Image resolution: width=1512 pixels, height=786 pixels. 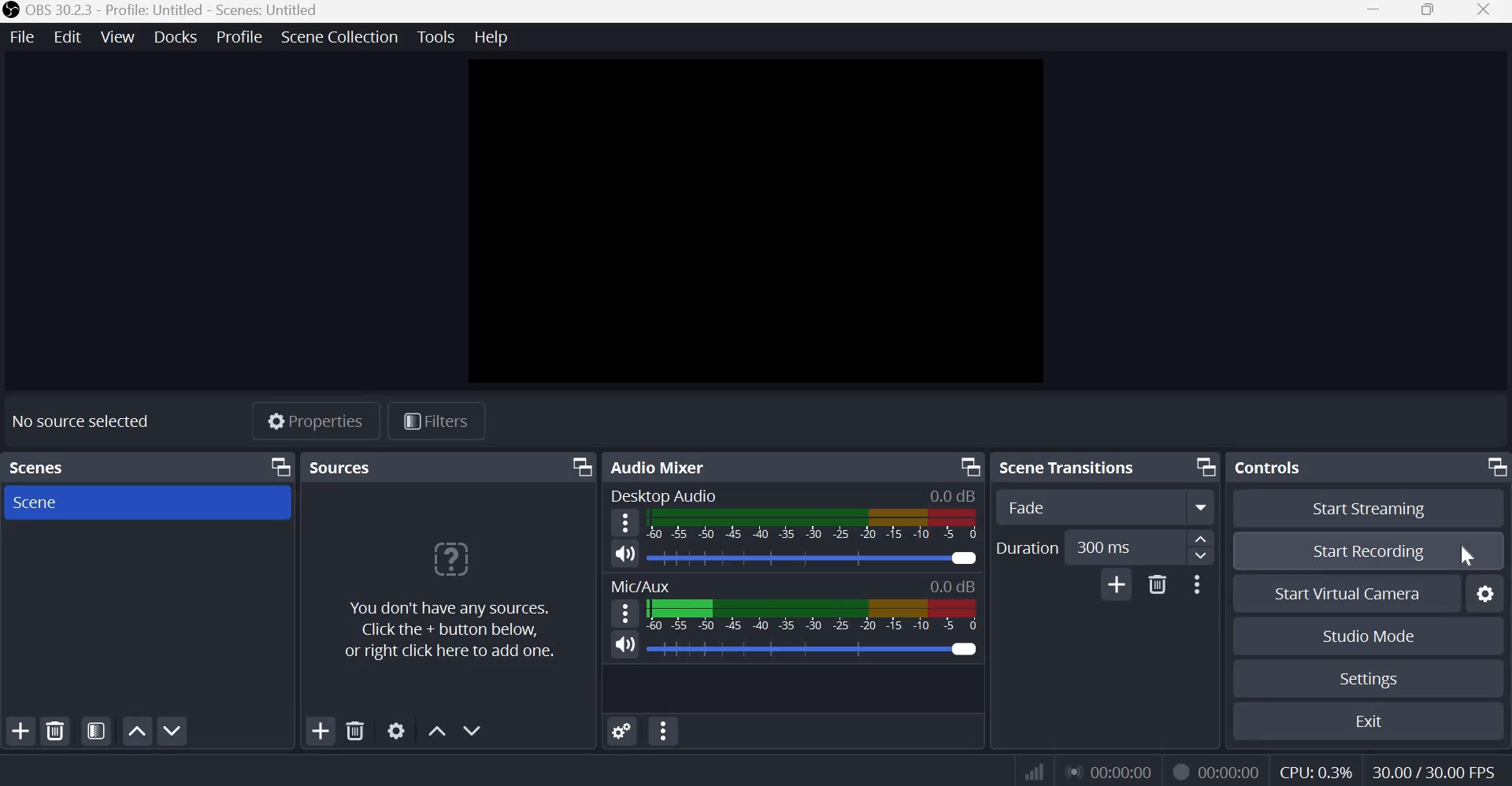 I want to click on Filters, so click(x=442, y=421).